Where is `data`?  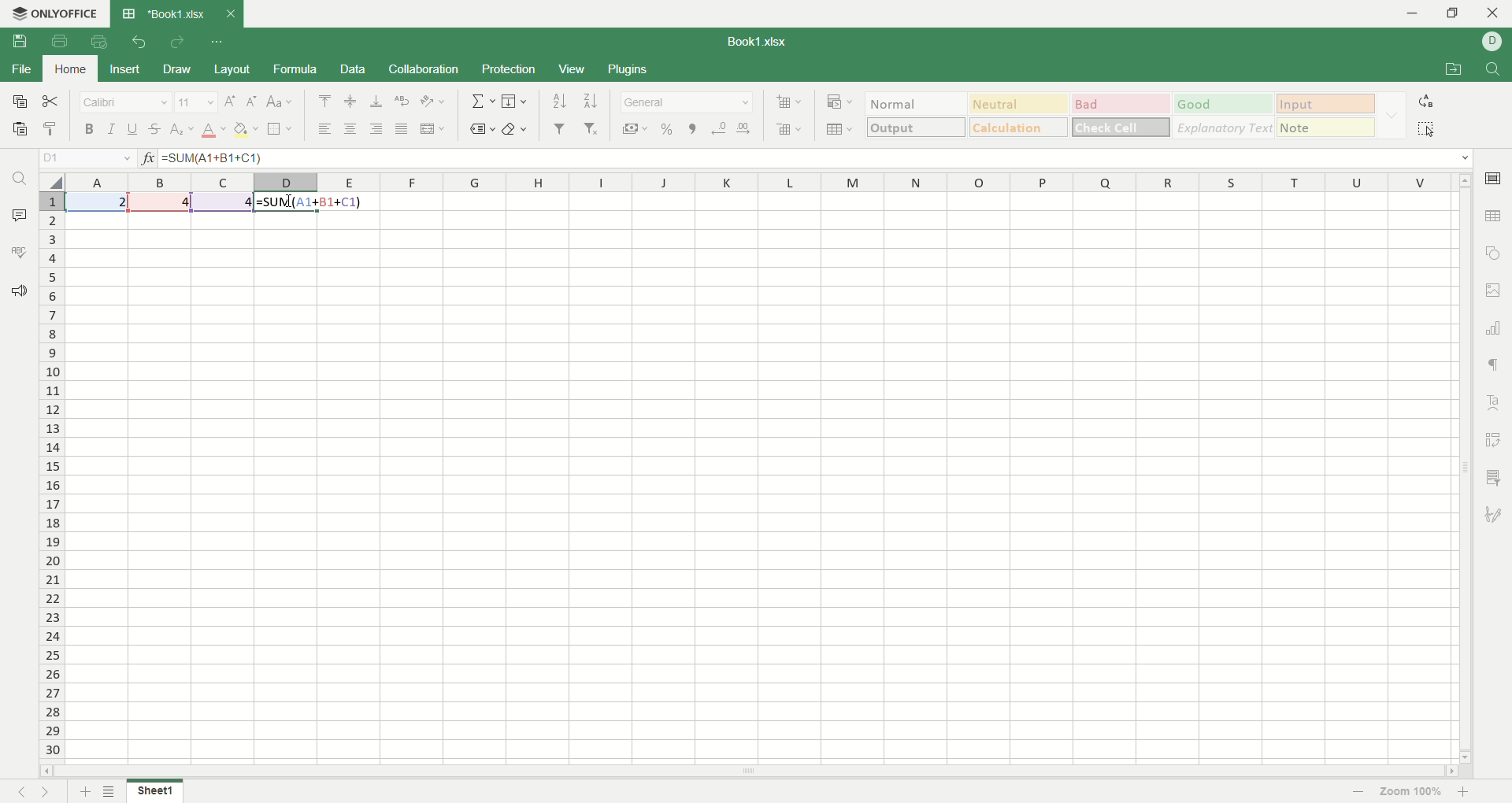 data is located at coordinates (355, 69).